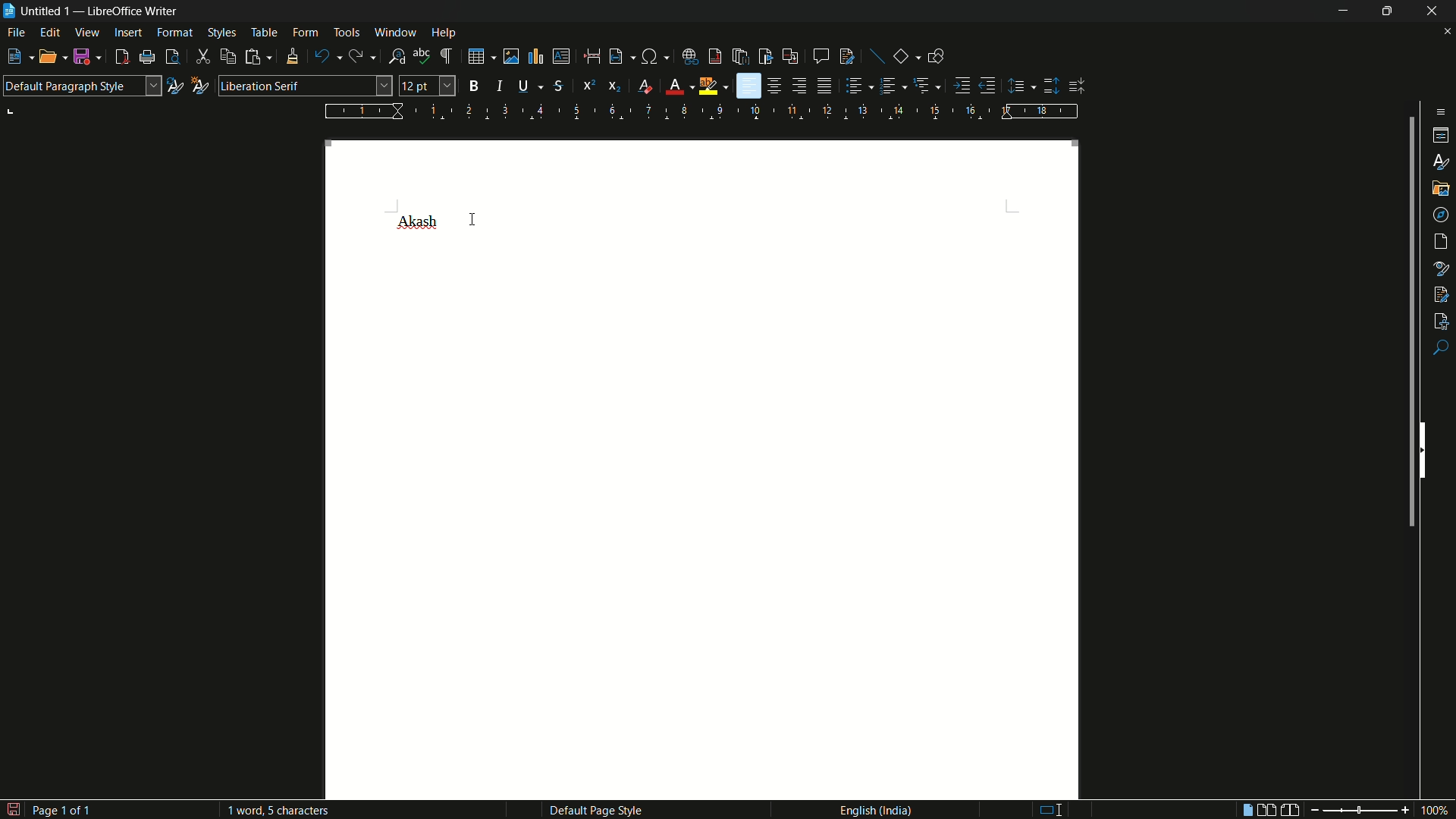  I want to click on font name, so click(305, 86).